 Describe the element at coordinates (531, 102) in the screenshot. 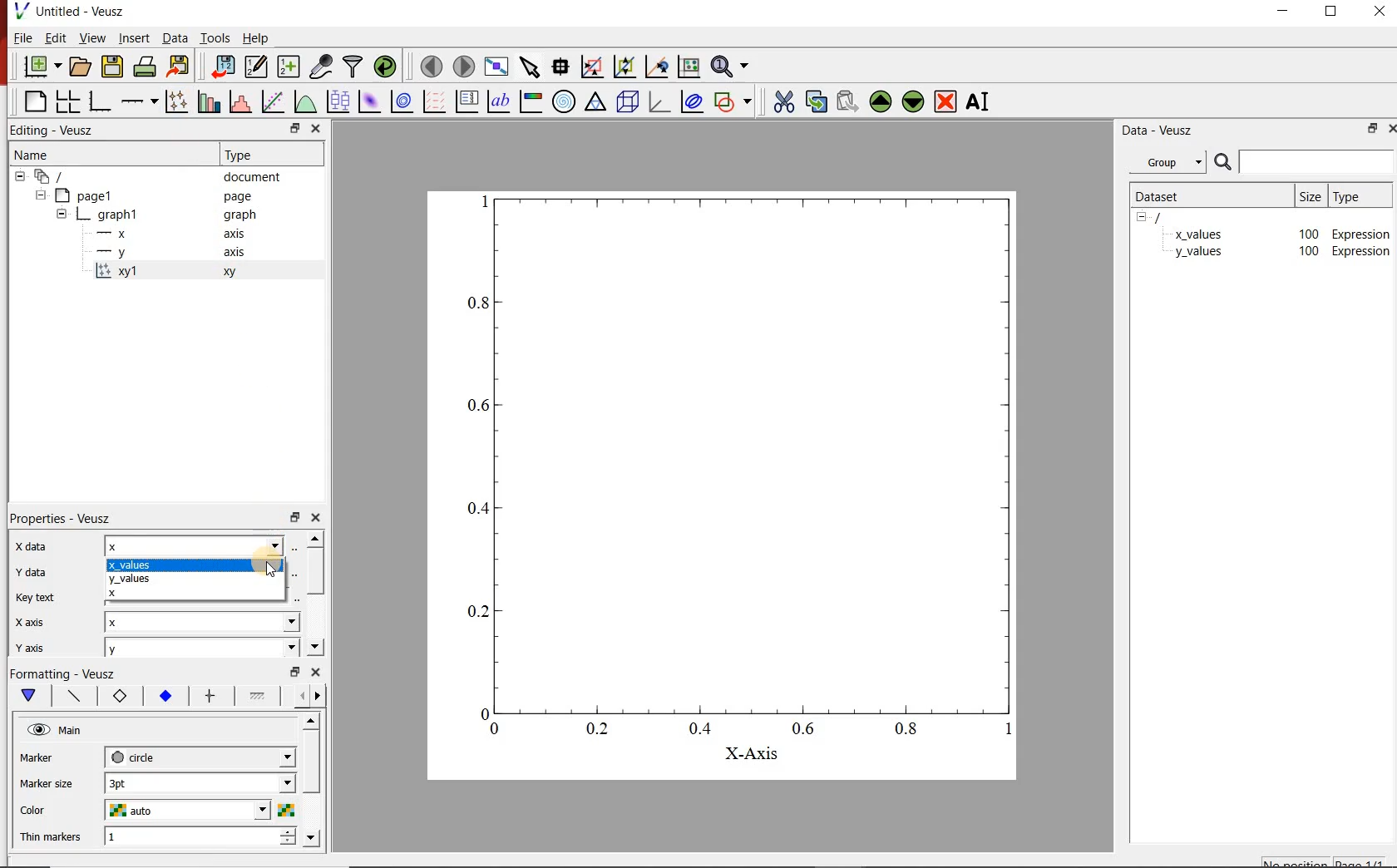

I see `image color bar` at that location.